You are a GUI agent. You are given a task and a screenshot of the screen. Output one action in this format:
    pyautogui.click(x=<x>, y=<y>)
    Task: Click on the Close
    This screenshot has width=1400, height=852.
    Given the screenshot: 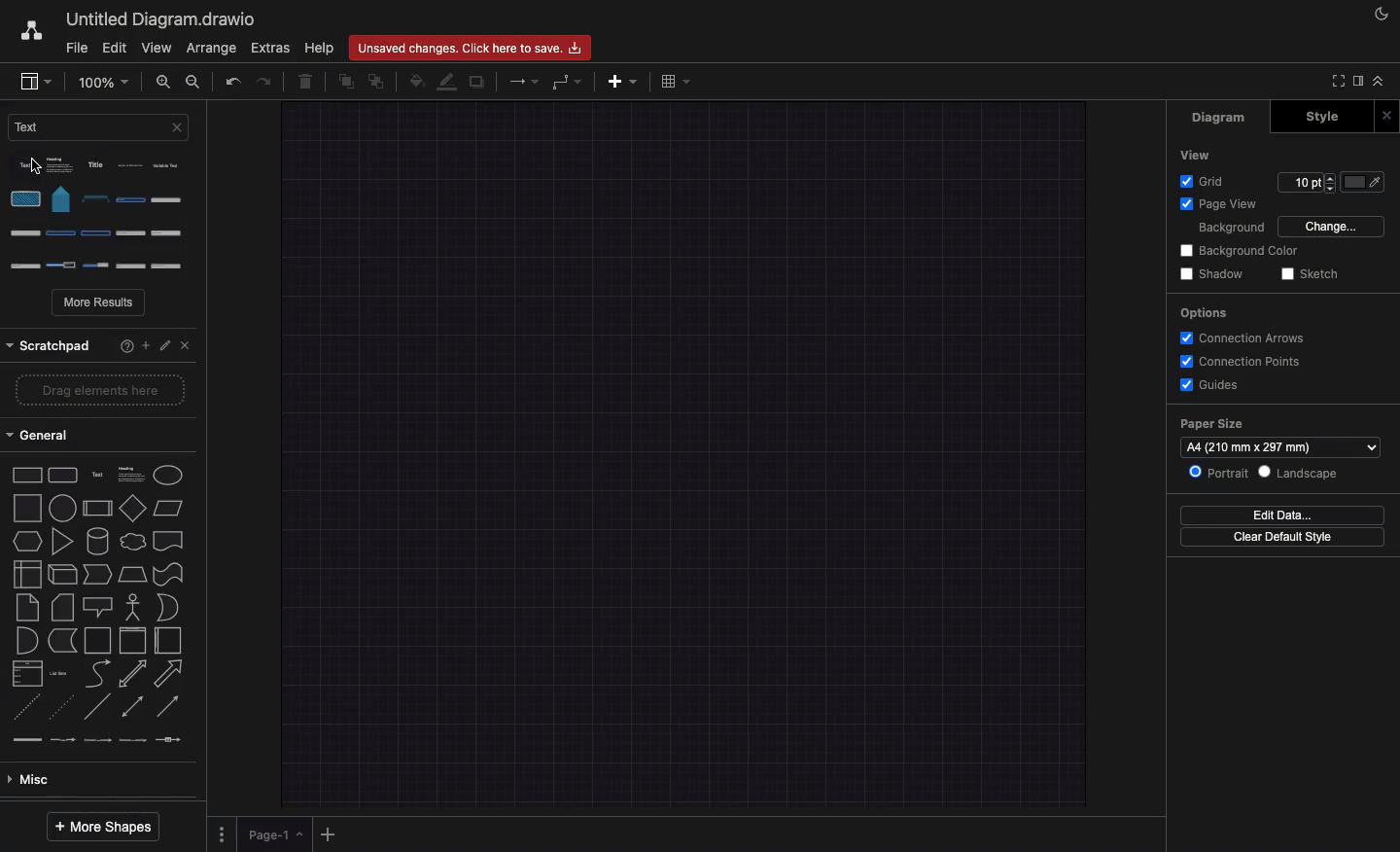 What is the action you would take?
    pyautogui.click(x=1386, y=118)
    